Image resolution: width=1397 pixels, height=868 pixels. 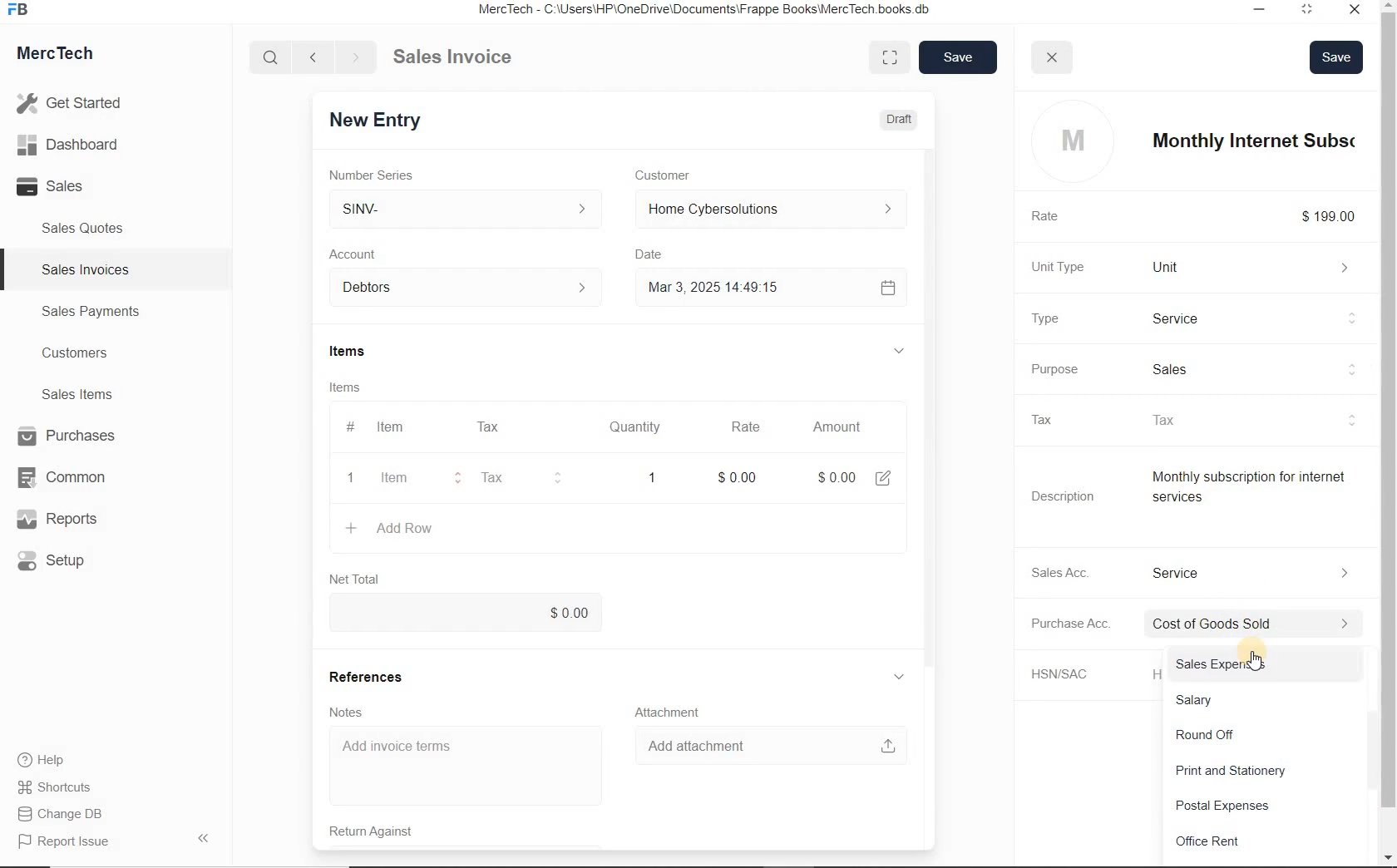 I want to click on Search, so click(x=272, y=57).